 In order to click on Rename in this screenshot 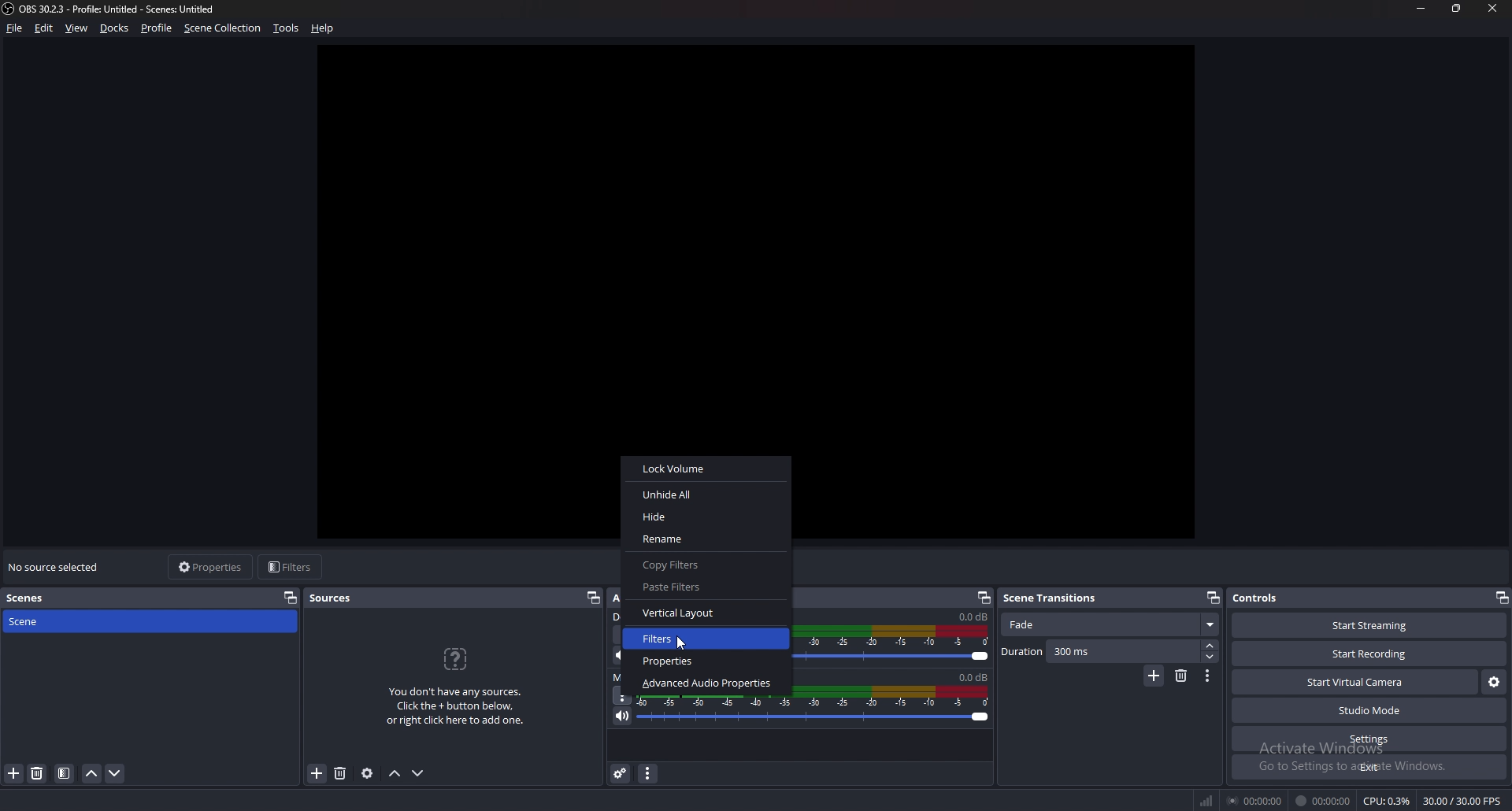, I will do `click(675, 539)`.